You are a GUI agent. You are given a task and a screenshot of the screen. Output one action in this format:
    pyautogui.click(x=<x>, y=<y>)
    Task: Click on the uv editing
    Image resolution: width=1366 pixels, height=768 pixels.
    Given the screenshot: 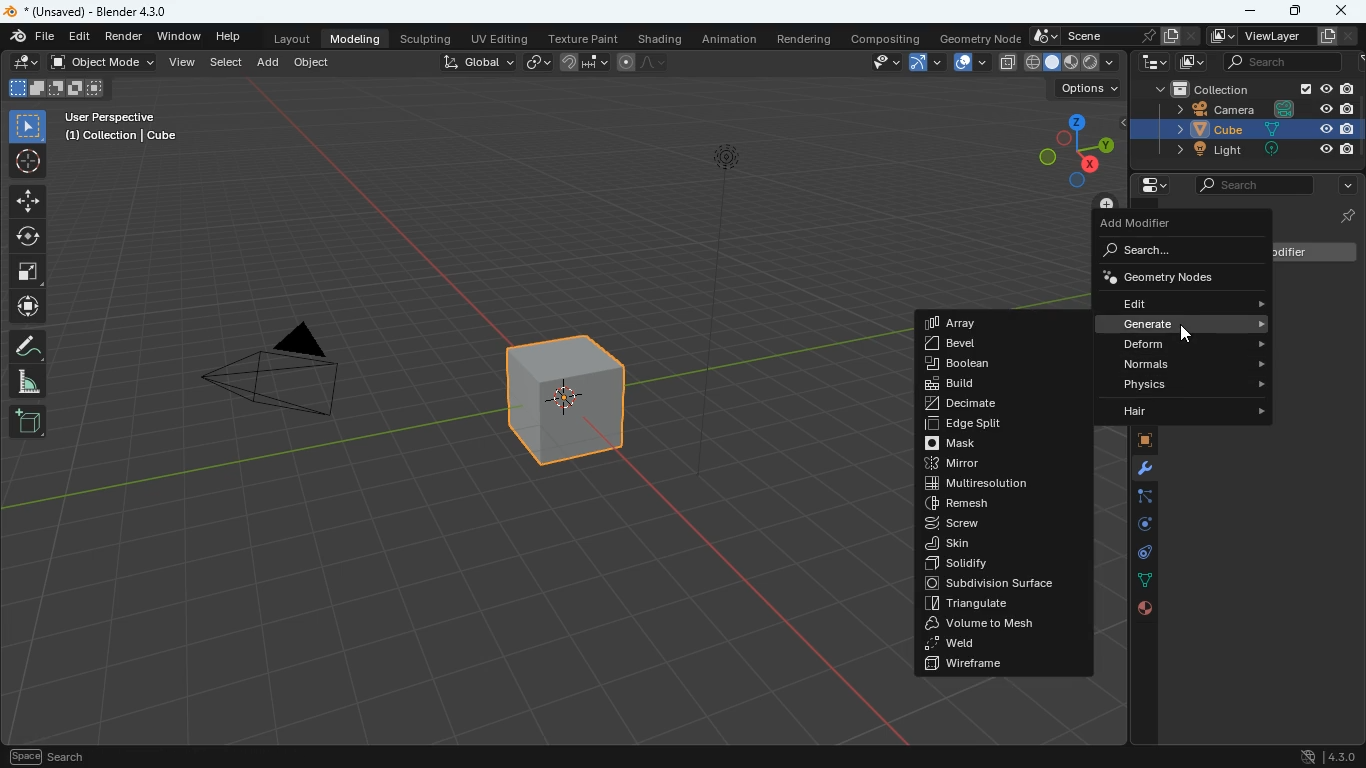 What is the action you would take?
    pyautogui.click(x=498, y=37)
    